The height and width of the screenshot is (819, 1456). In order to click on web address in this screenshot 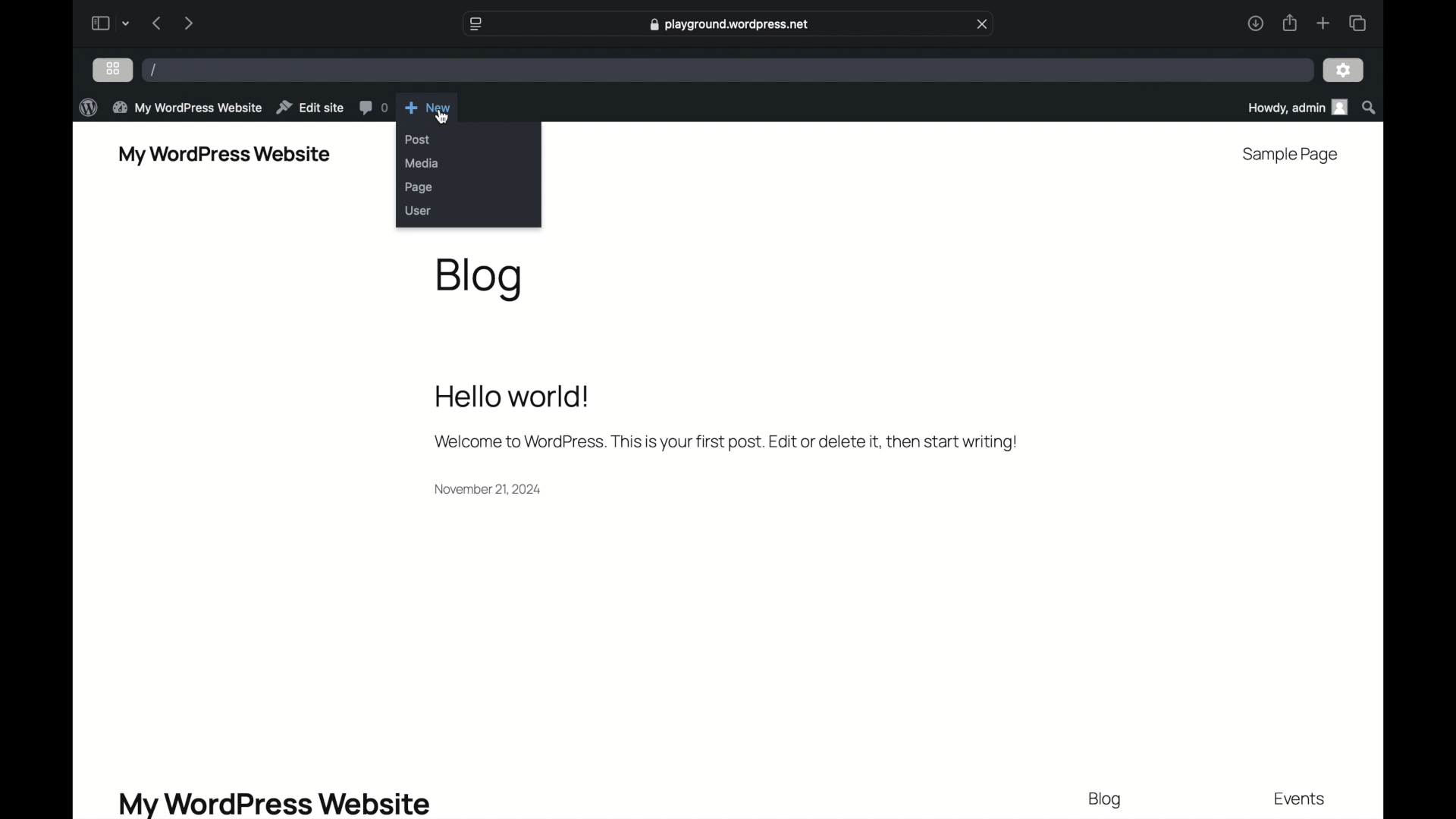, I will do `click(731, 24)`.